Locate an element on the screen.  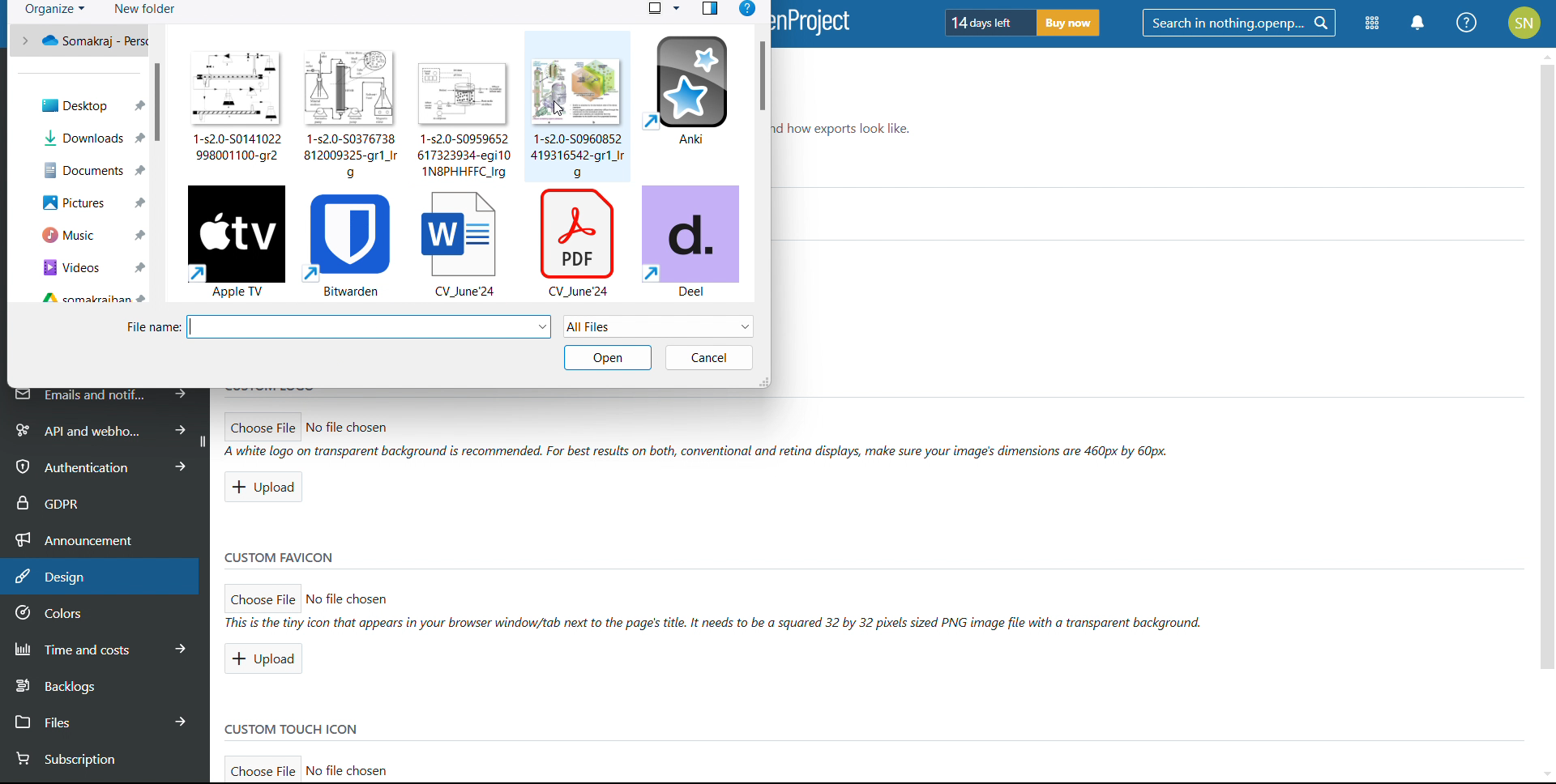
days left of trial is located at coordinates (986, 22).